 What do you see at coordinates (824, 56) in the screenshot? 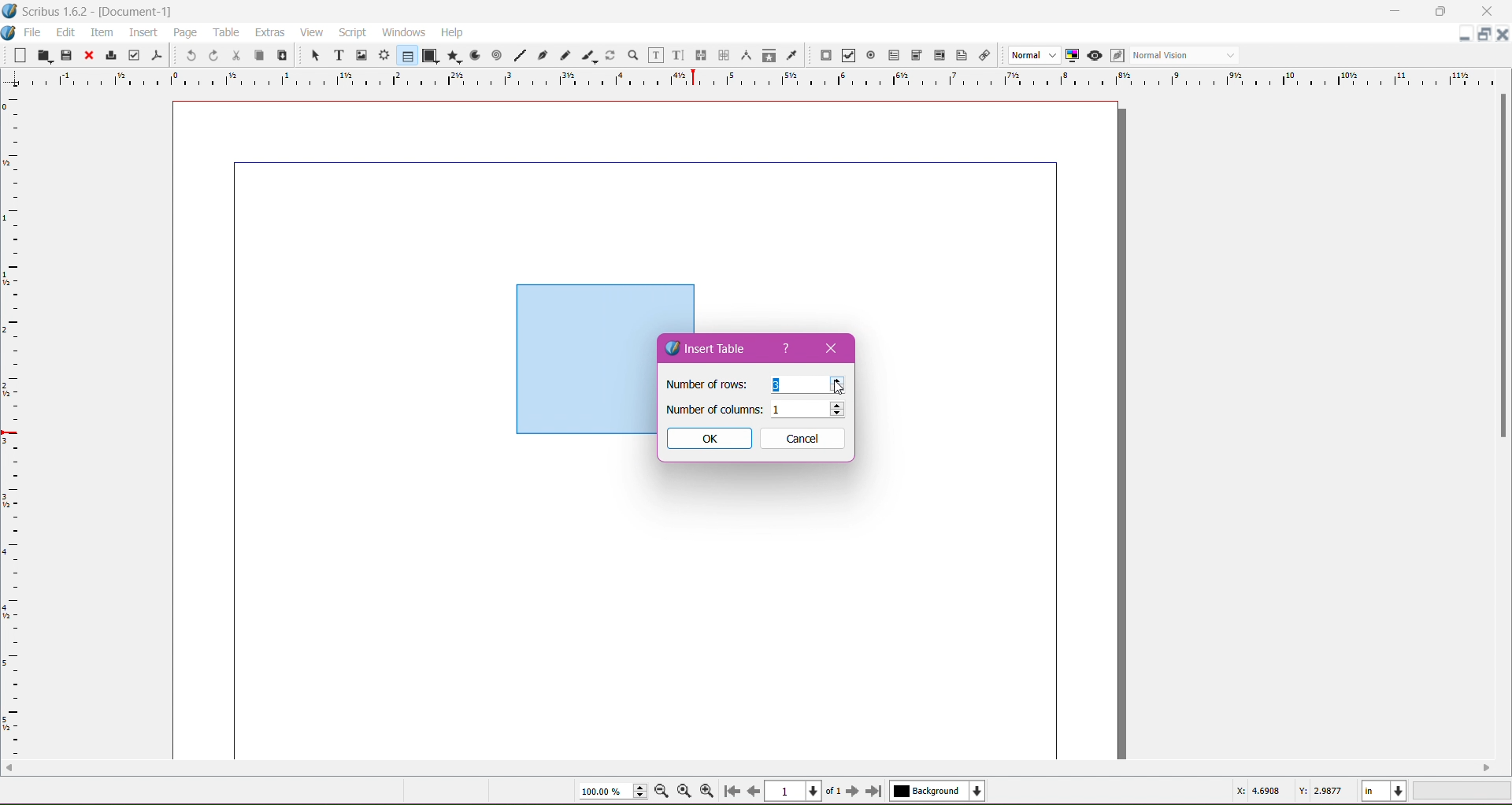
I see `PDF Push button` at bounding box center [824, 56].